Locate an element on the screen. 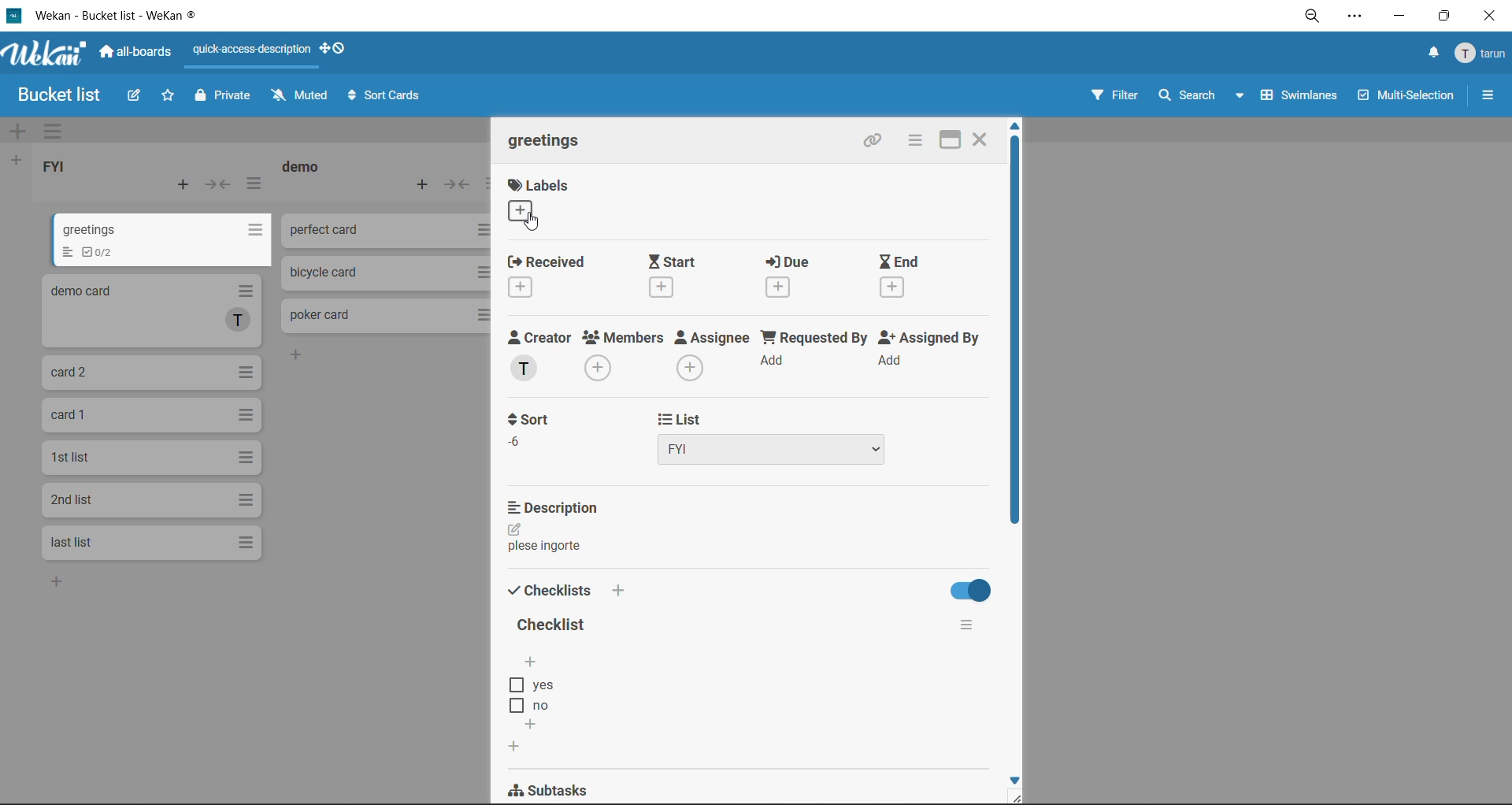 The image size is (1512, 805). checklist options is located at coordinates (541, 686).